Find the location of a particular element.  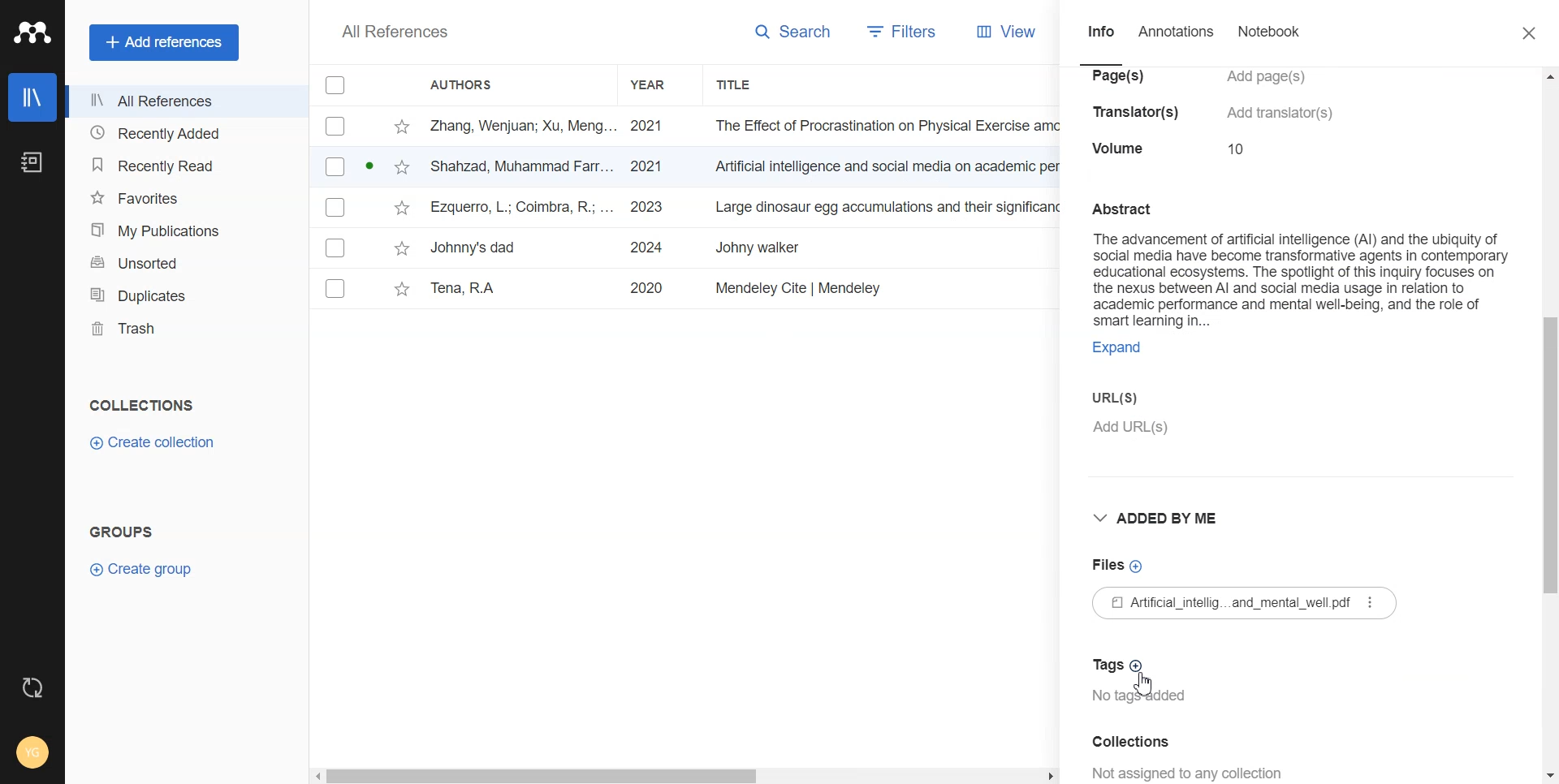

All References is located at coordinates (396, 32).